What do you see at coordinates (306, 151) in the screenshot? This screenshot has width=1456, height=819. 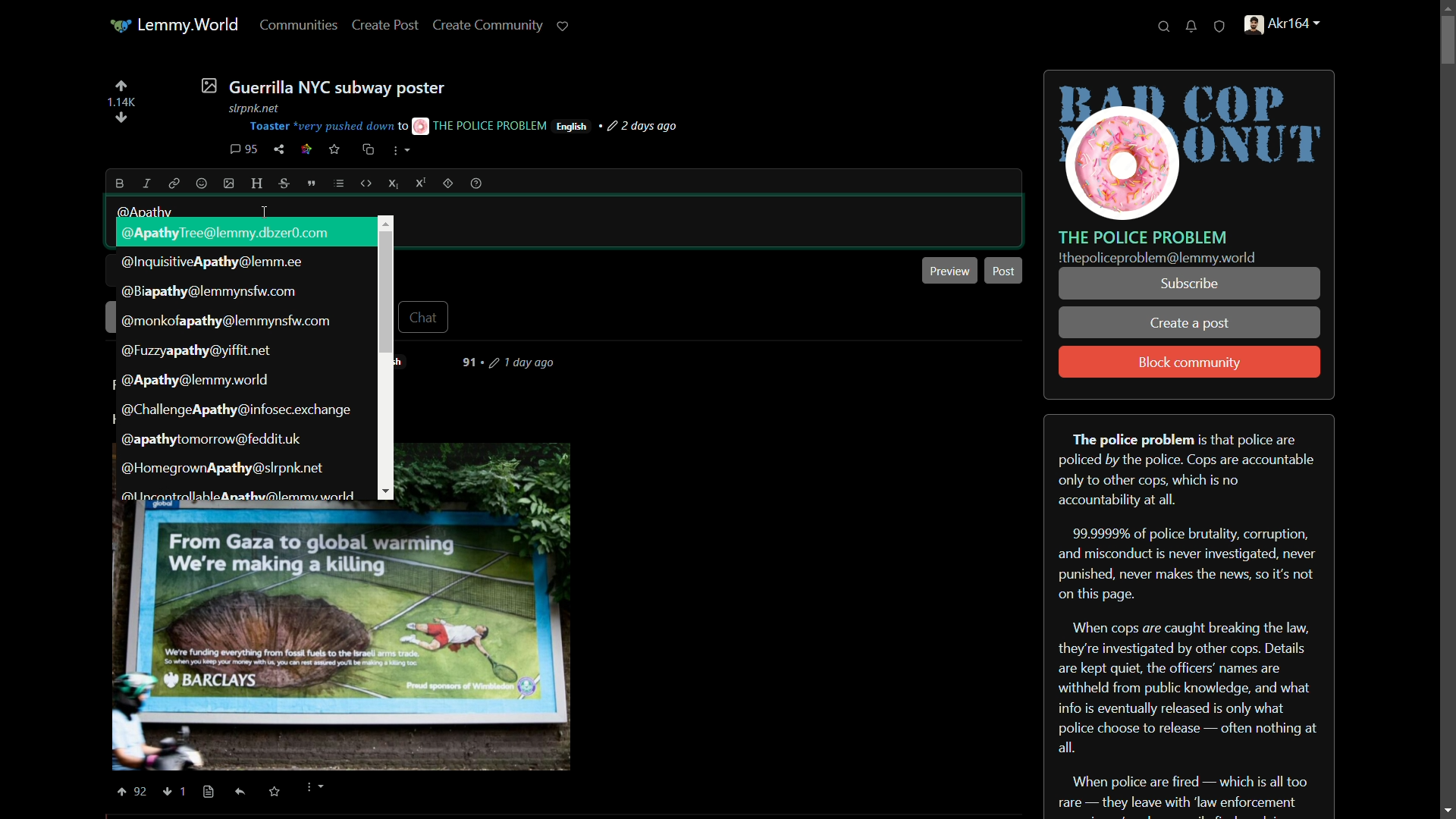 I see `link` at bounding box center [306, 151].